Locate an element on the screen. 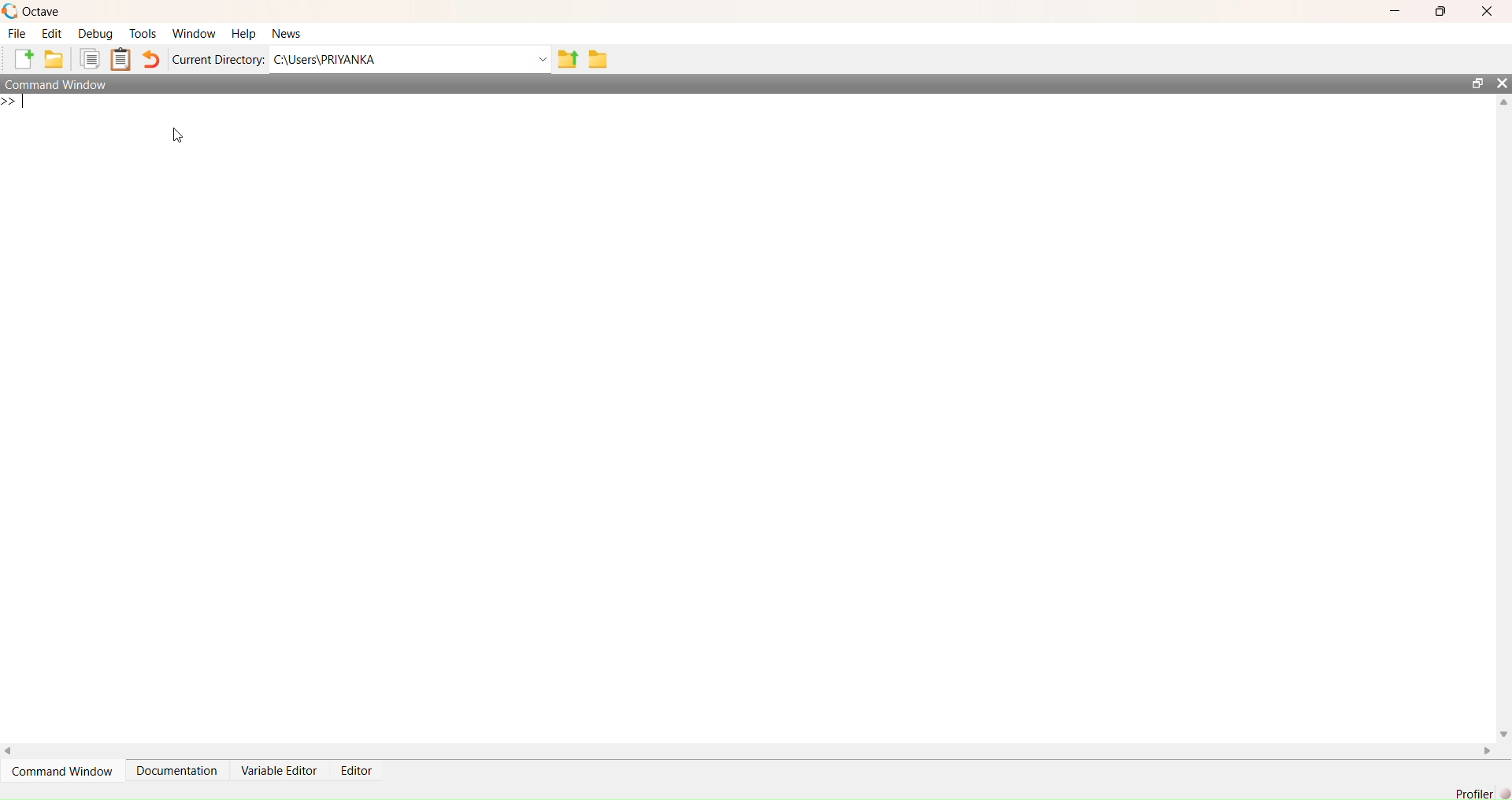 This screenshot has height=800, width=1512. Variable Editor is located at coordinates (280, 771).